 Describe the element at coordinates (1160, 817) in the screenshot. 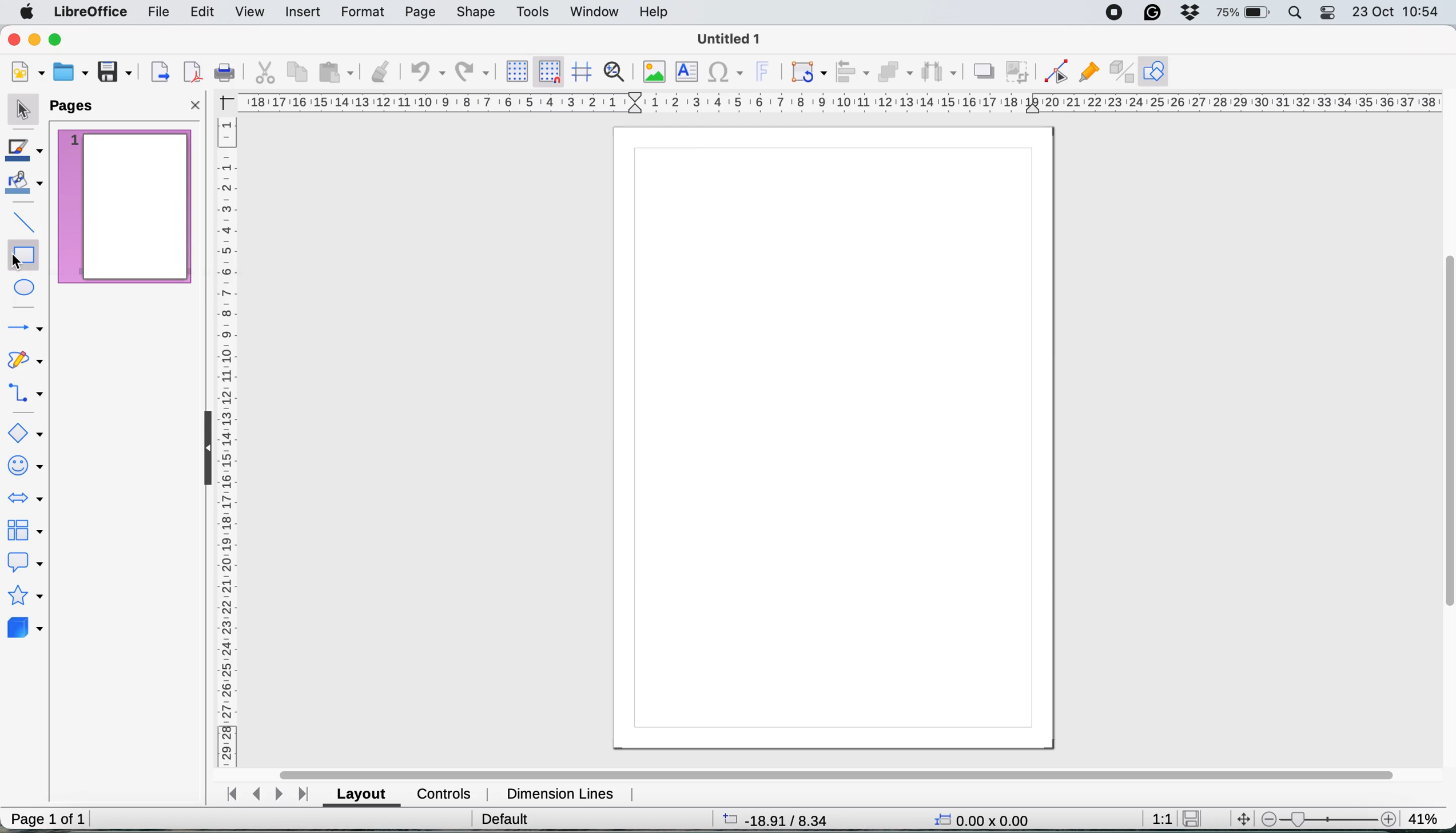

I see `1:1` at that location.